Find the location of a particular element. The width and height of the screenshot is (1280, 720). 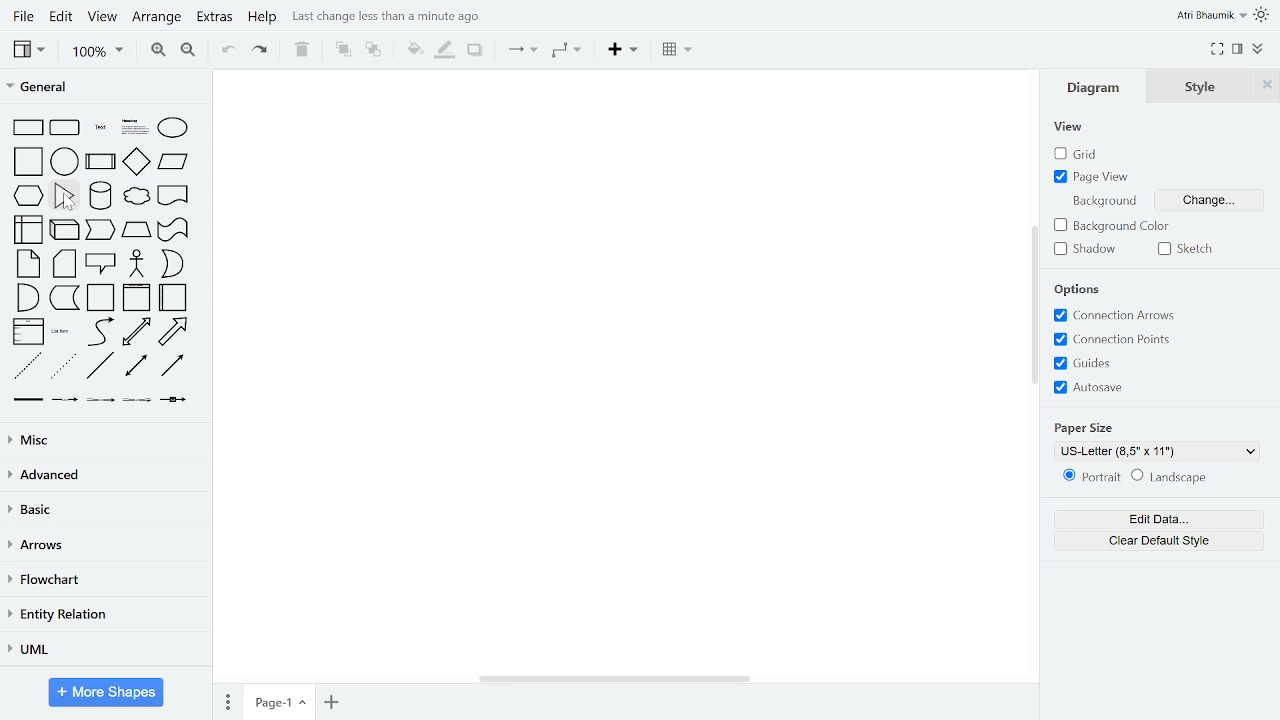

autosave is located at coordinates (1088, 388).